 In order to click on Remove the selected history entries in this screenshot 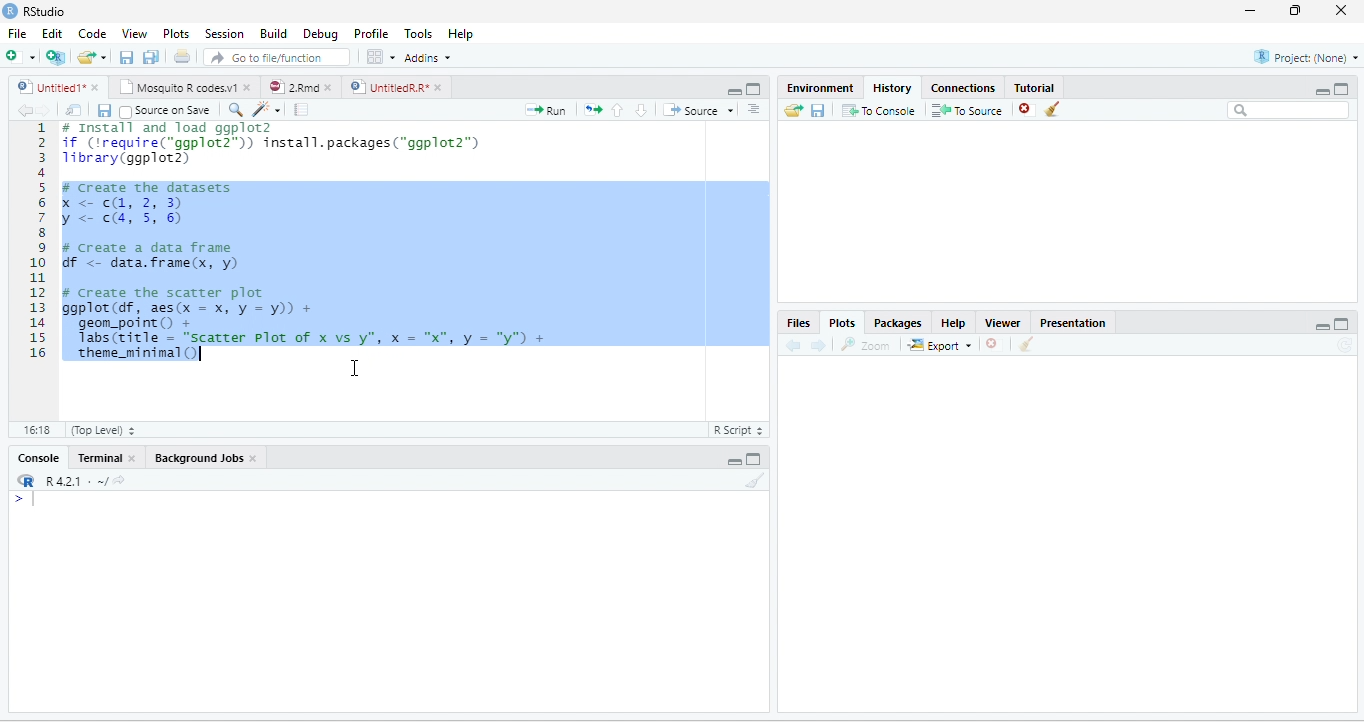, I will do `click(1027, 110)`.